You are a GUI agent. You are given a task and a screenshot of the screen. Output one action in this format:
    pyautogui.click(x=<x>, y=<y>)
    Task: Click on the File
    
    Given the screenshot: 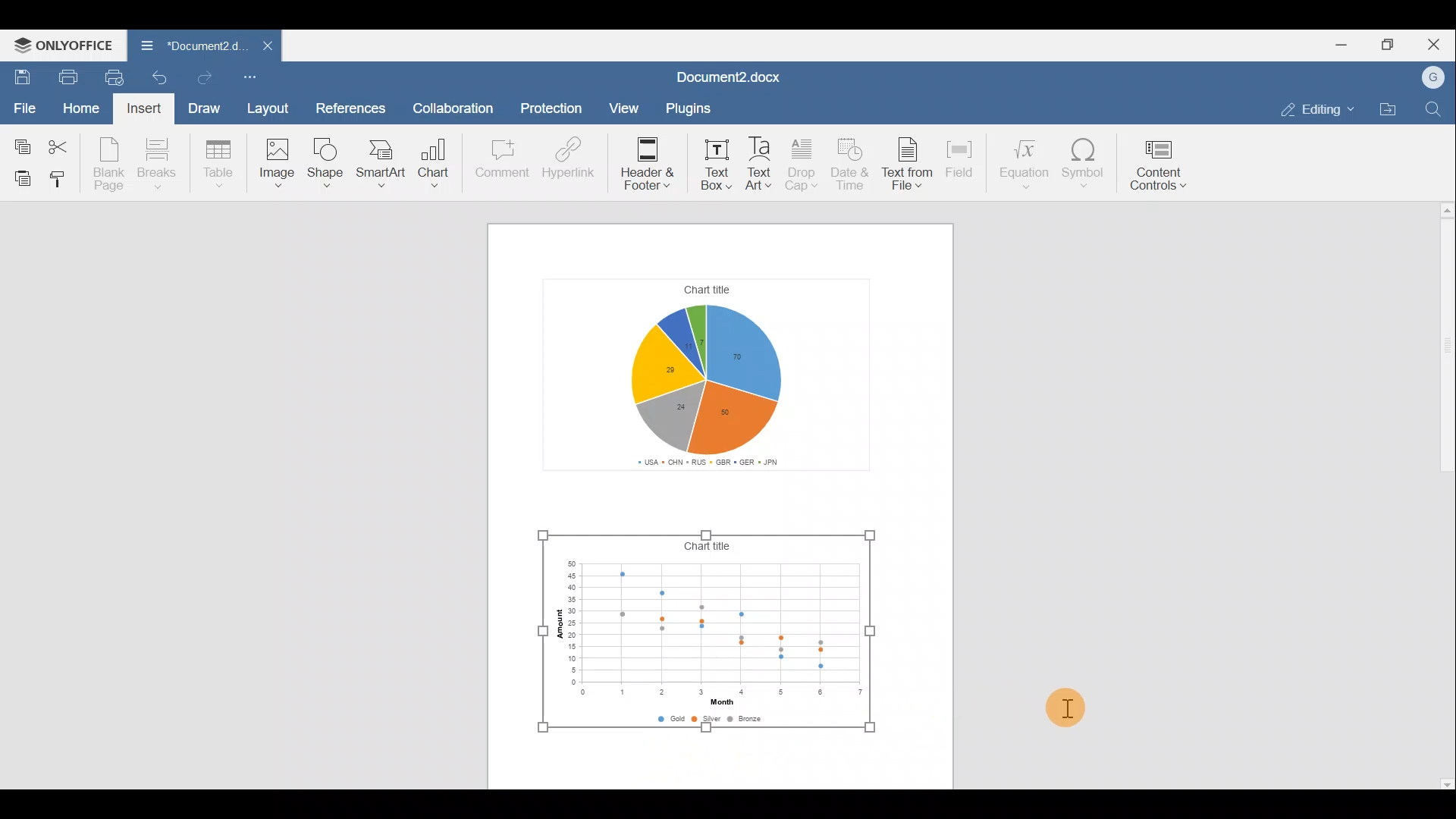 What is the action you would take?
    pyautogui.click(x=22, y=108)
    